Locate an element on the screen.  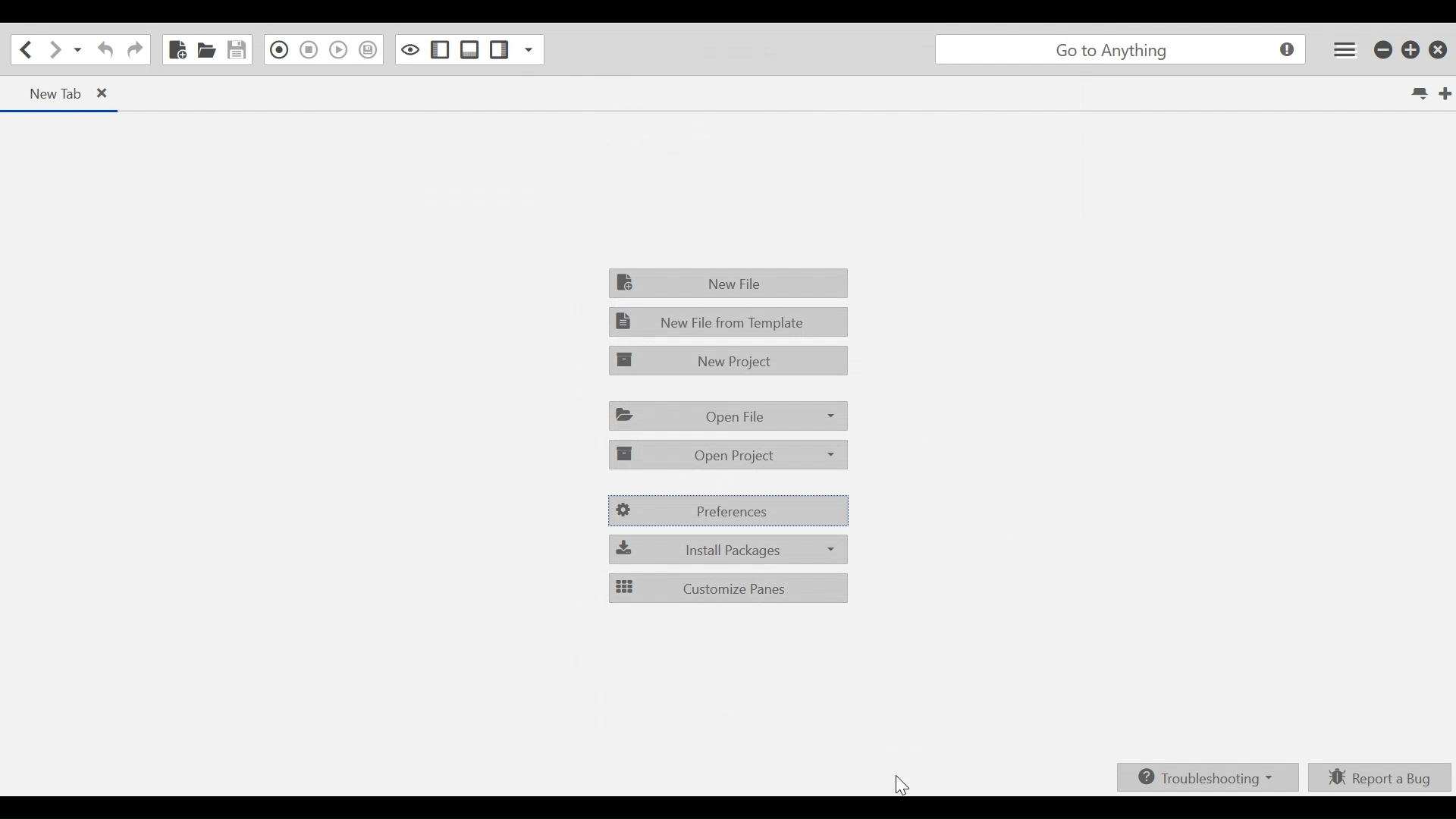
Show/Hide left Pane is located at coordinates (440, 50).